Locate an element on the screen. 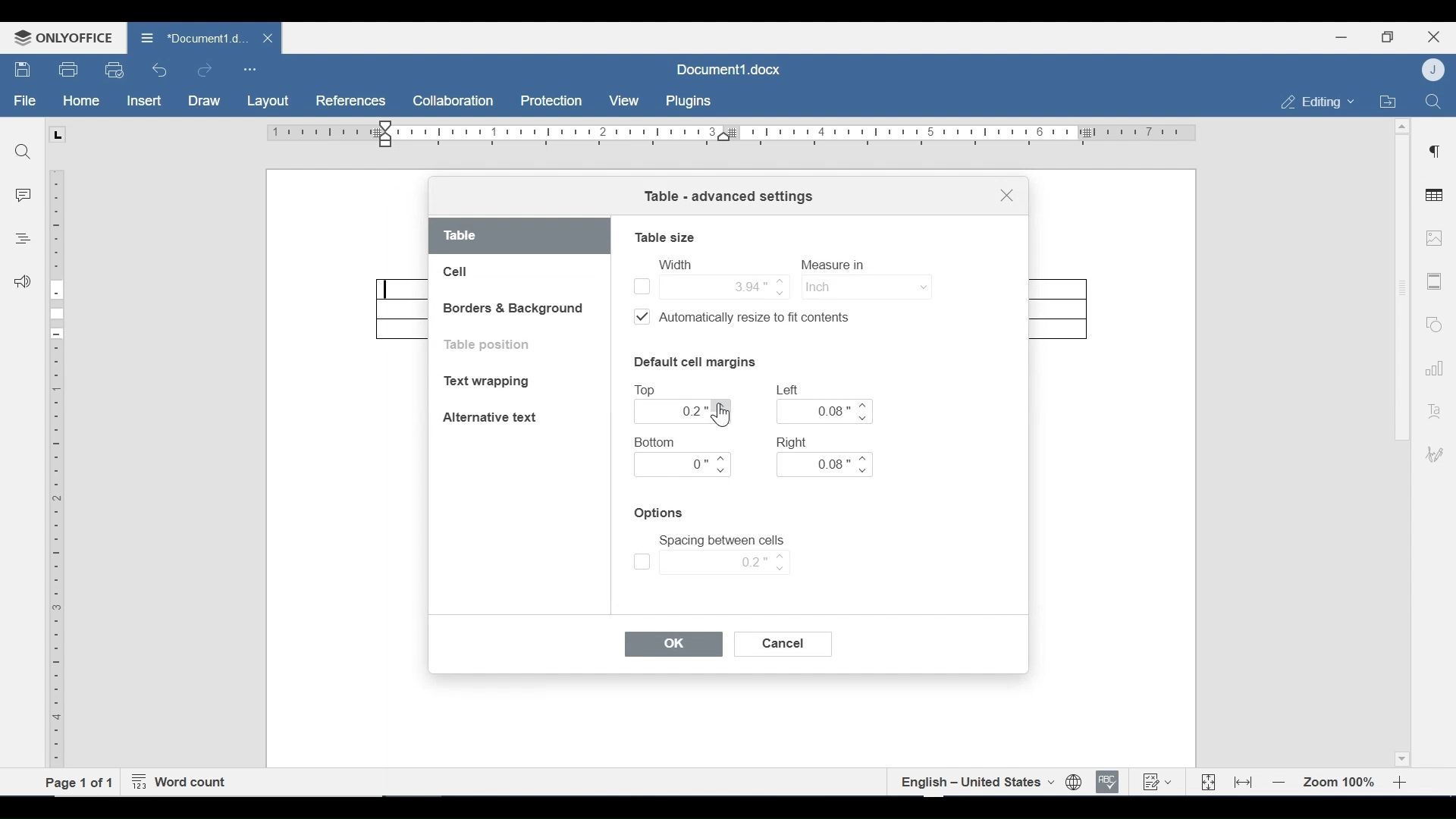 The image size is (1456, 819). Scroll up is located at coordinates (1402, 127).